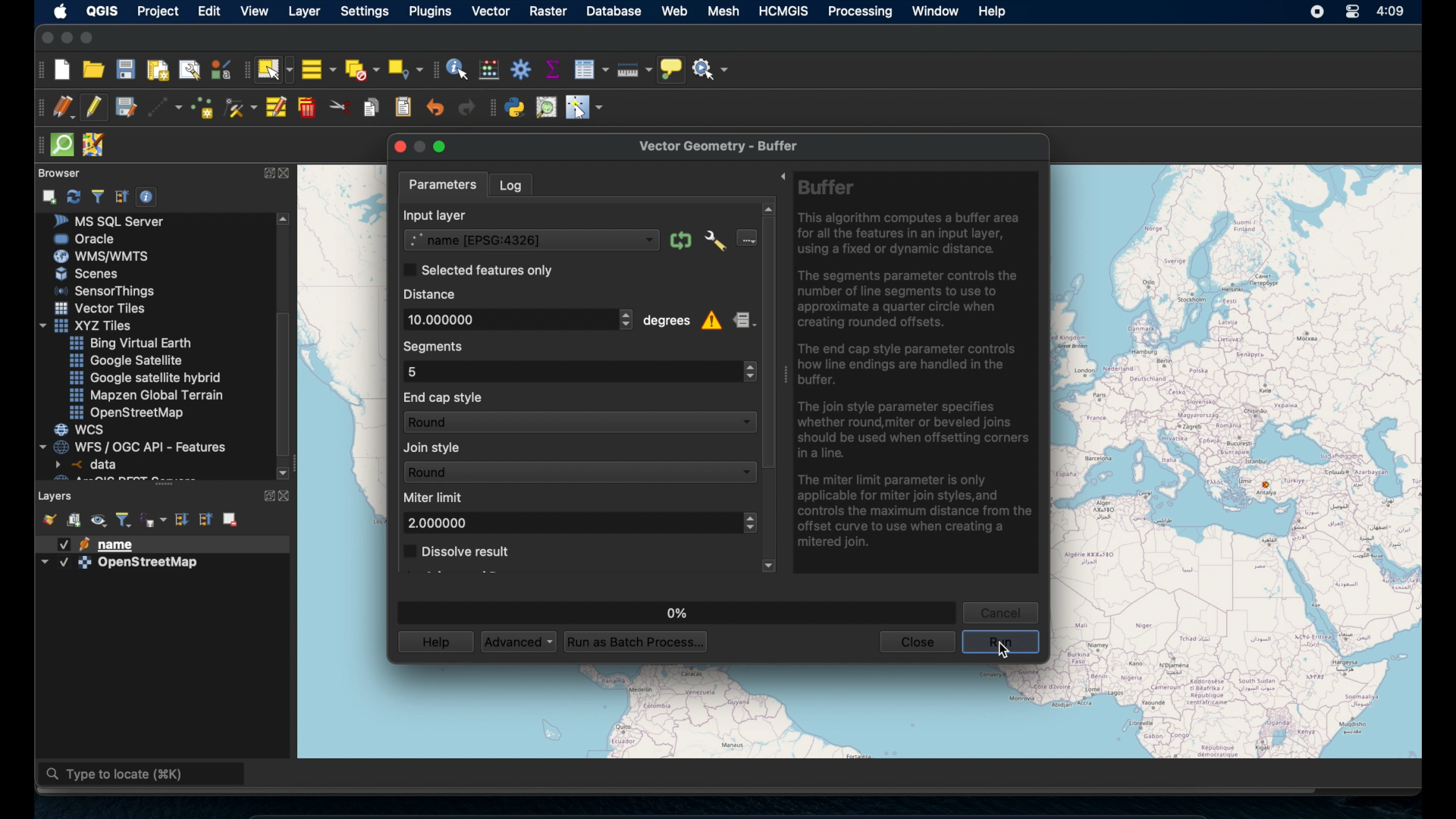 This screenshot has height=819, width=1456. I want to click on expand, so click(265, 494).